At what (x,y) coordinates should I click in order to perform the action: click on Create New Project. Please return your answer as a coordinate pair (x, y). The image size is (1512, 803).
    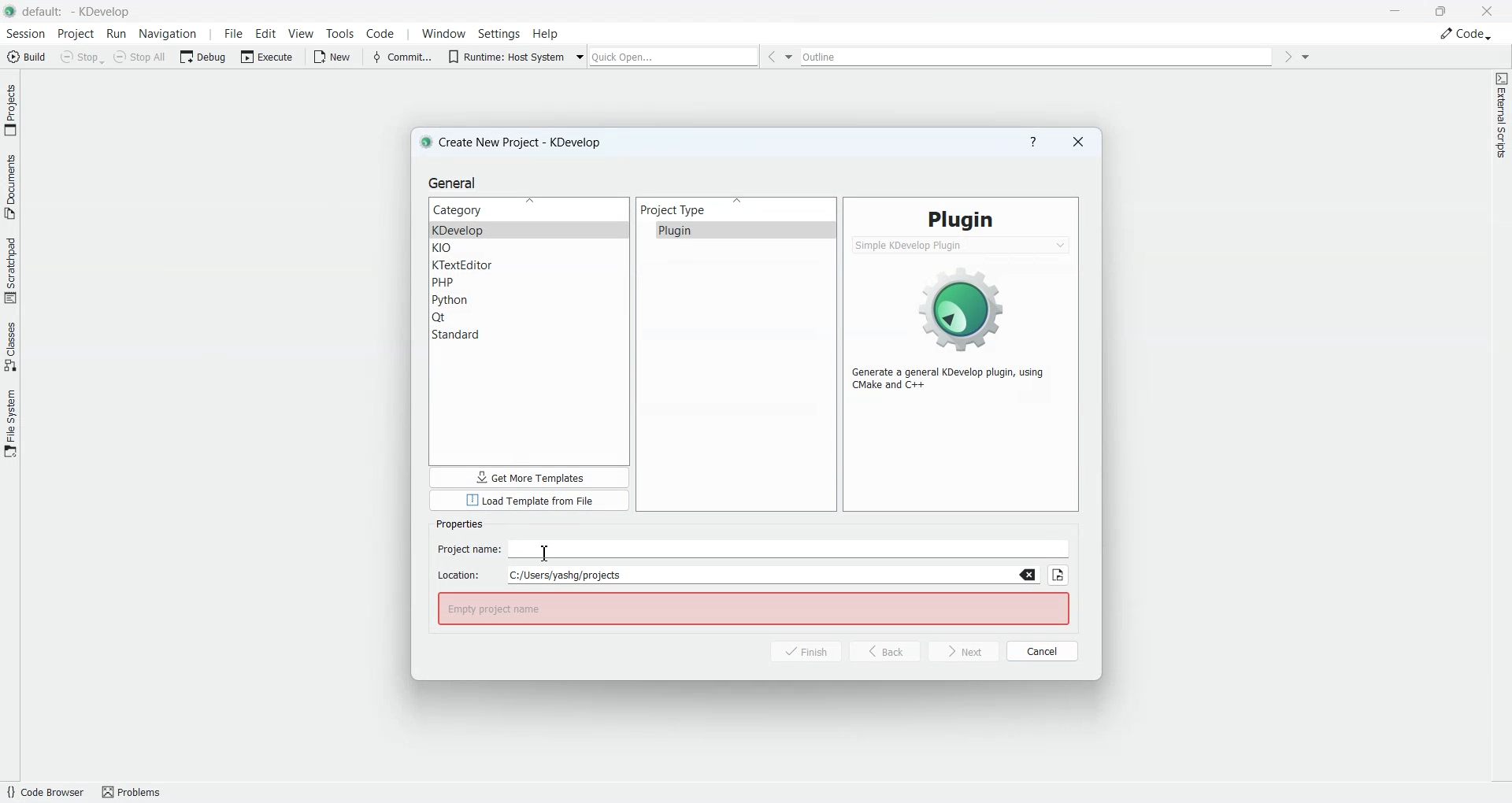
    Looking at the image, I should click on (516, 142).